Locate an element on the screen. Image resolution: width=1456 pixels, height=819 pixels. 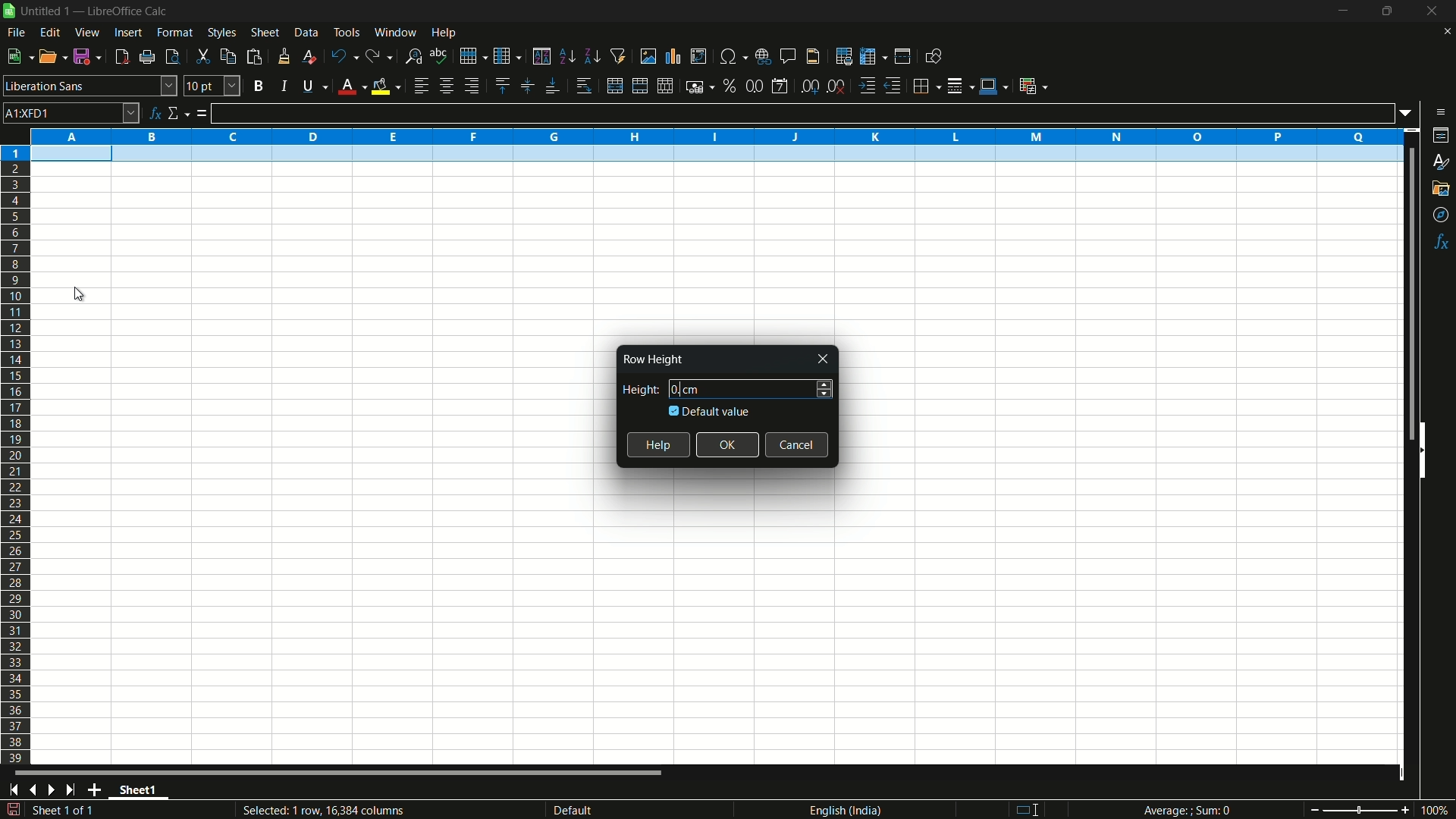
format menu is located at coordinates (175, 33).